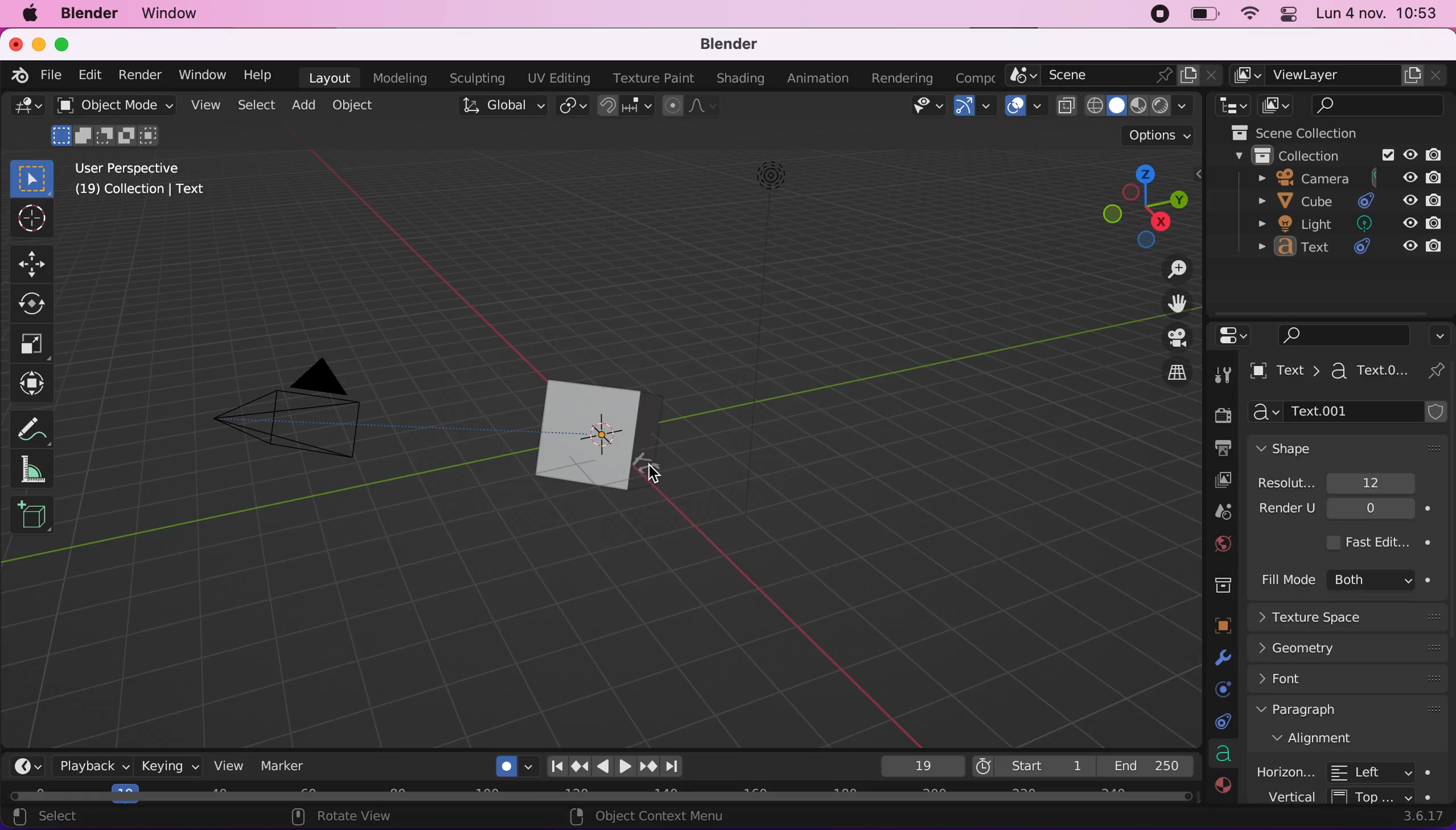  What do you see at coordinates (1381, 542) in the screenshot?
I see `fast edit` at bounding box center [1381, 542].